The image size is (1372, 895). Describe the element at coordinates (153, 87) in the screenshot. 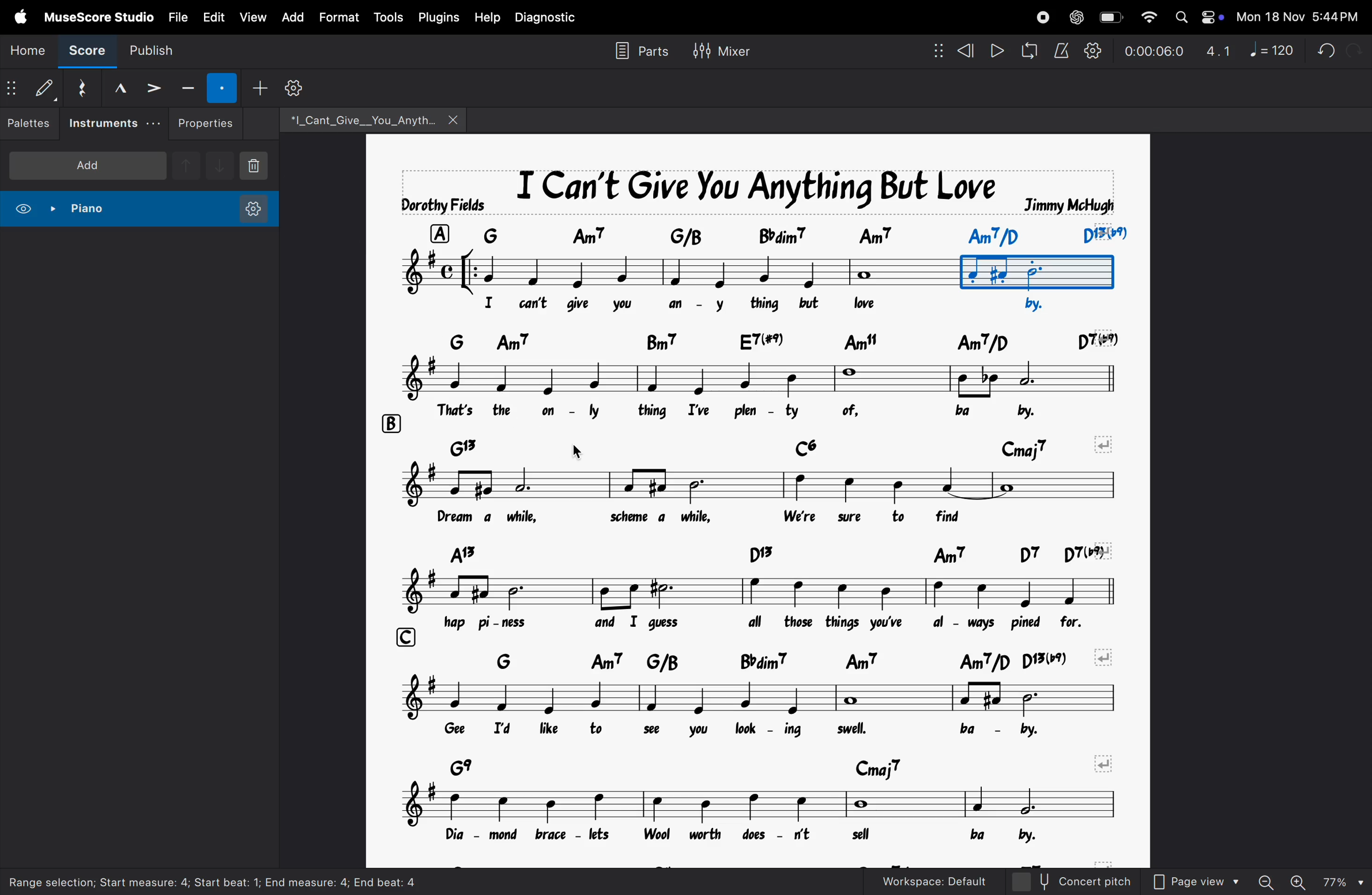

I see `accent` at that location.